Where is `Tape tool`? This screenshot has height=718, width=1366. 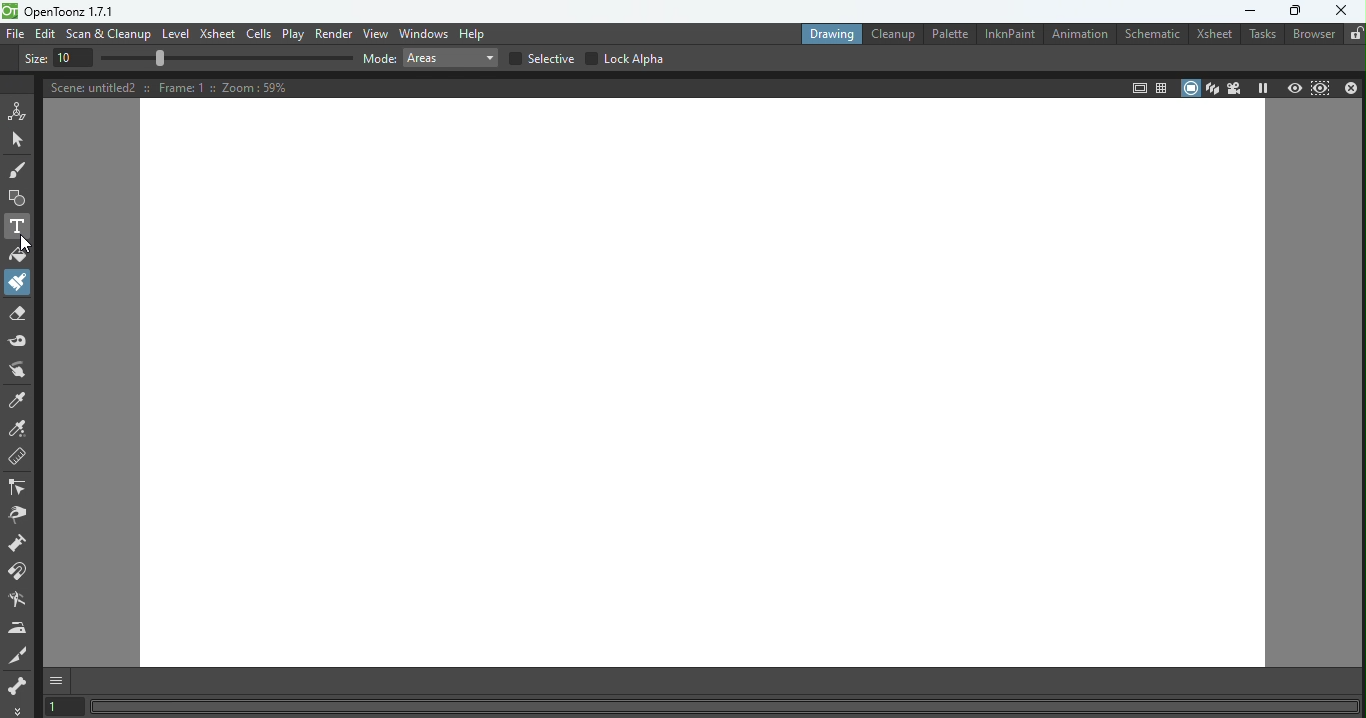 Tape tool is located at coordinates (20, 342).